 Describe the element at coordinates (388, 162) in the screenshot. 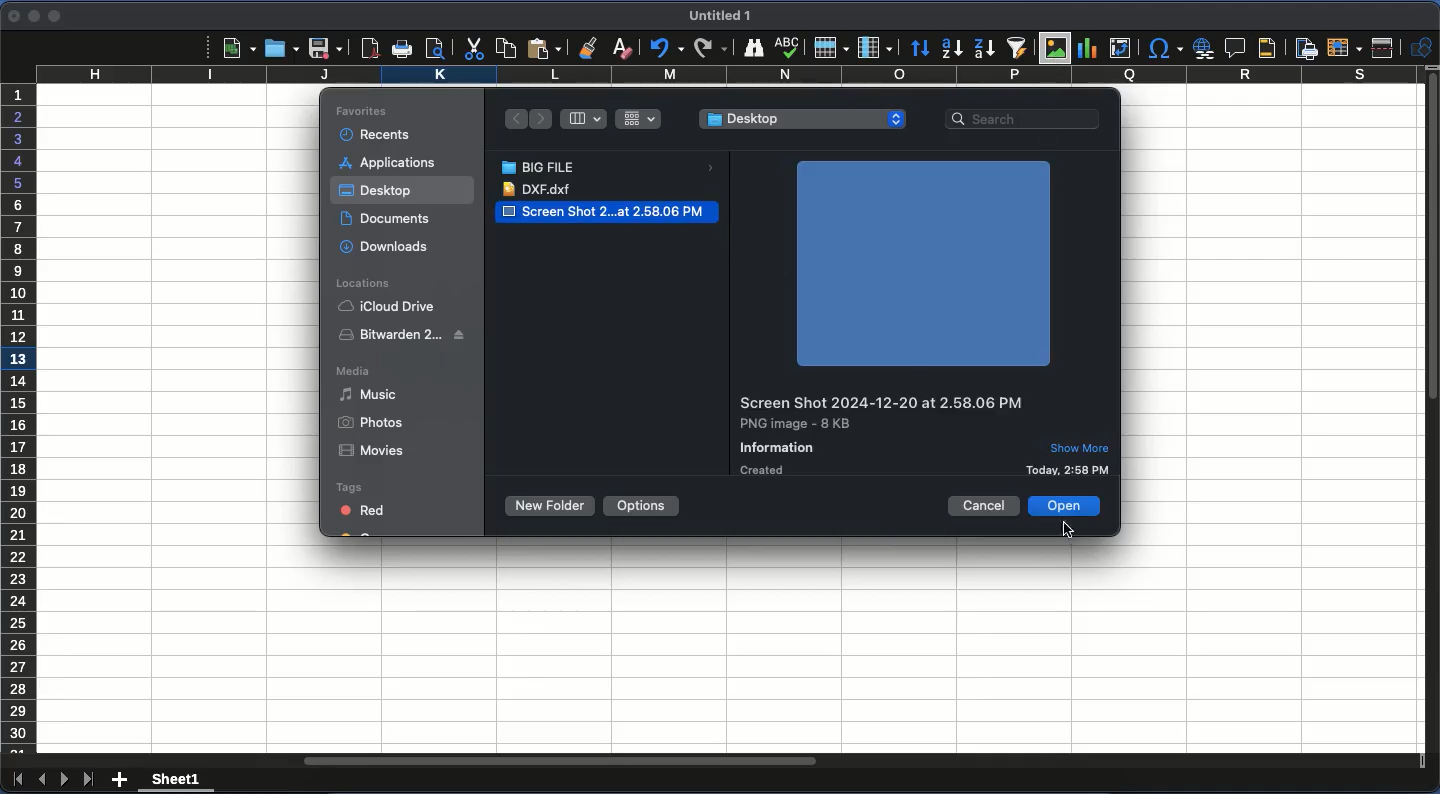

I see `applications` at that location.